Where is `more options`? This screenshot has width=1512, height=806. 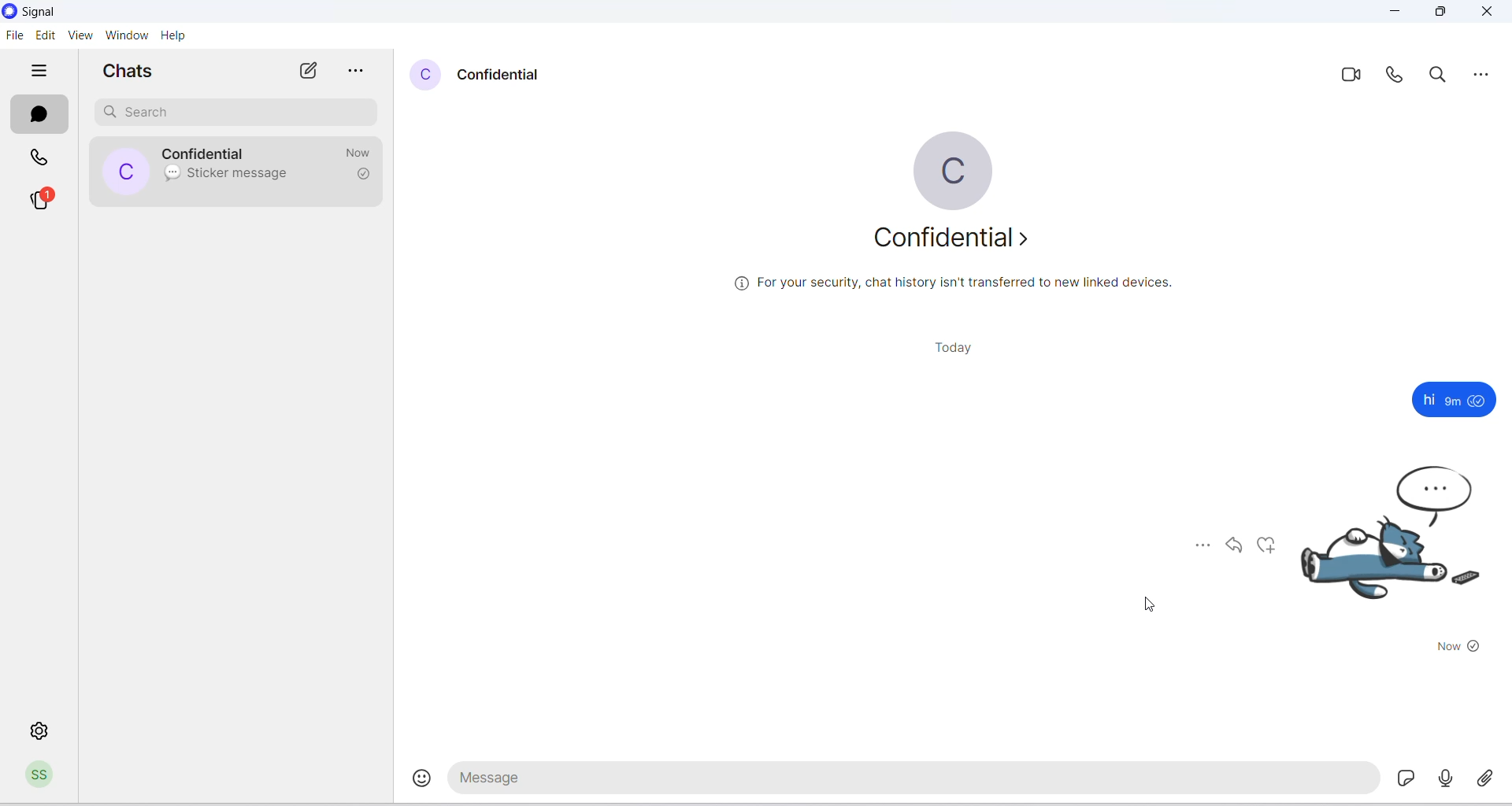 more options is located at coordinates (1195, 545).